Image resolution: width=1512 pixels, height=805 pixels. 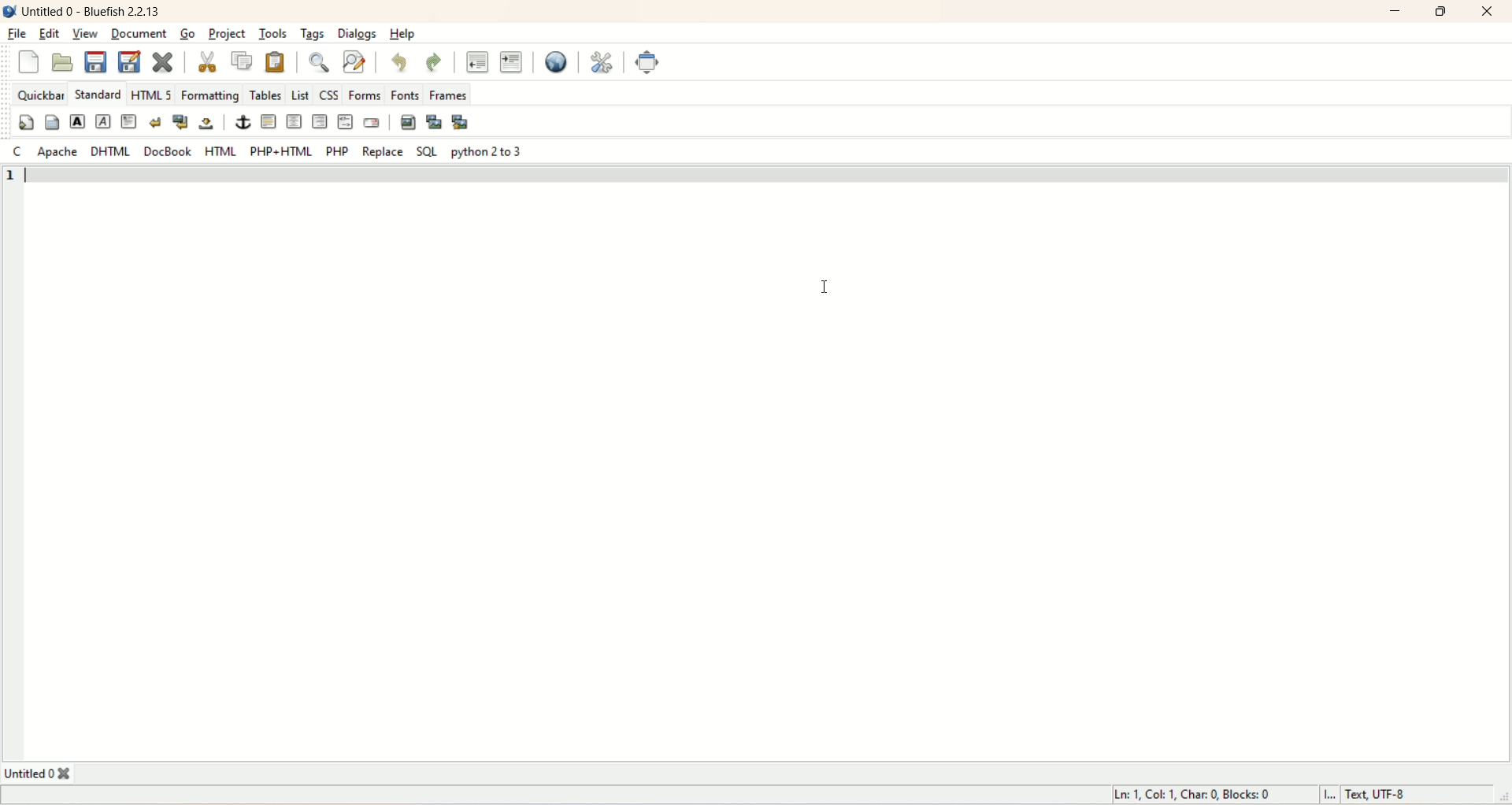 What do you see at coordinates (353, 62) in the screenshot?
I see `advance find and replace` at bounding box center [353, 62].